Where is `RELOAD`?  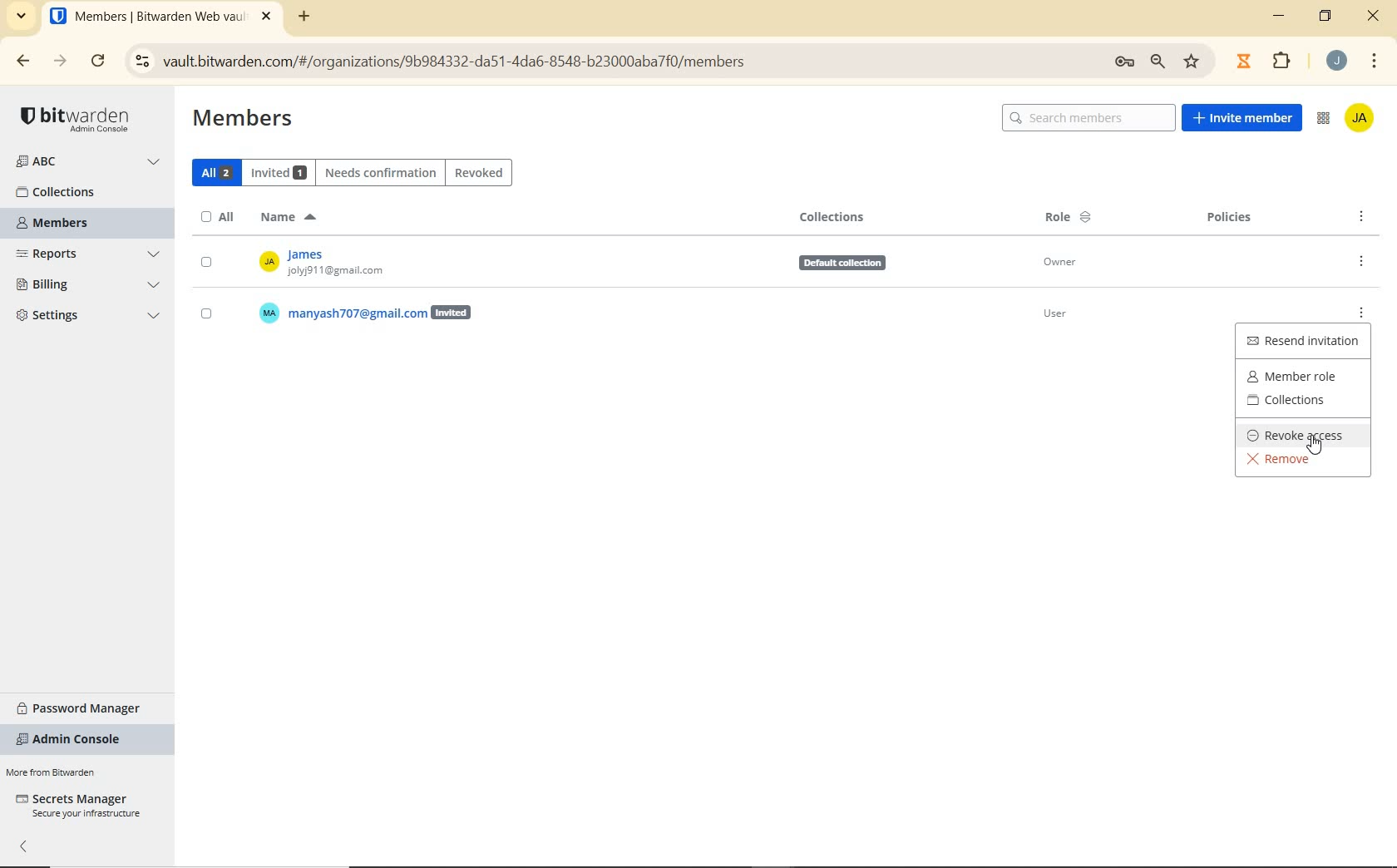
RELOAD is located at coordinates (98, 62).